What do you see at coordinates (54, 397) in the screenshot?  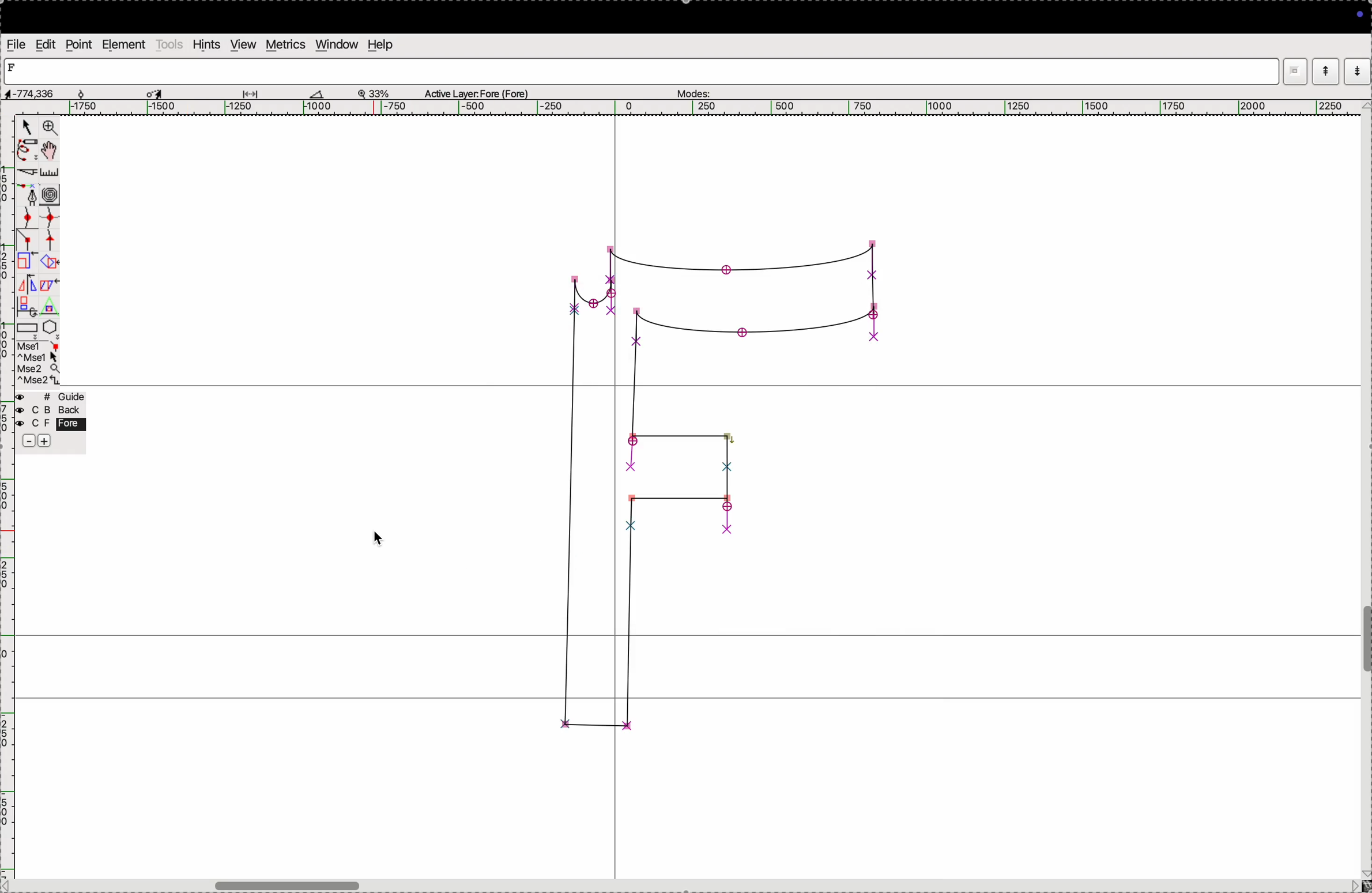 I see `guide` at bounding box center [54, 397].